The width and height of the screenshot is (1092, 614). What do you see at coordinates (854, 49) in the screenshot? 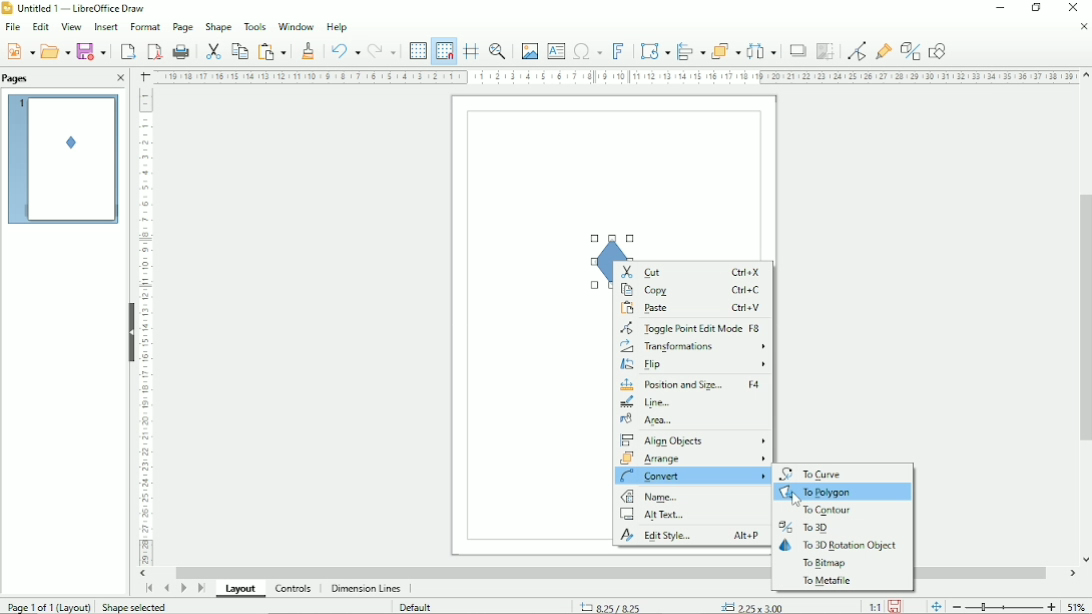
I see `Toggle point edit mode` at bounding box center [854, 49].